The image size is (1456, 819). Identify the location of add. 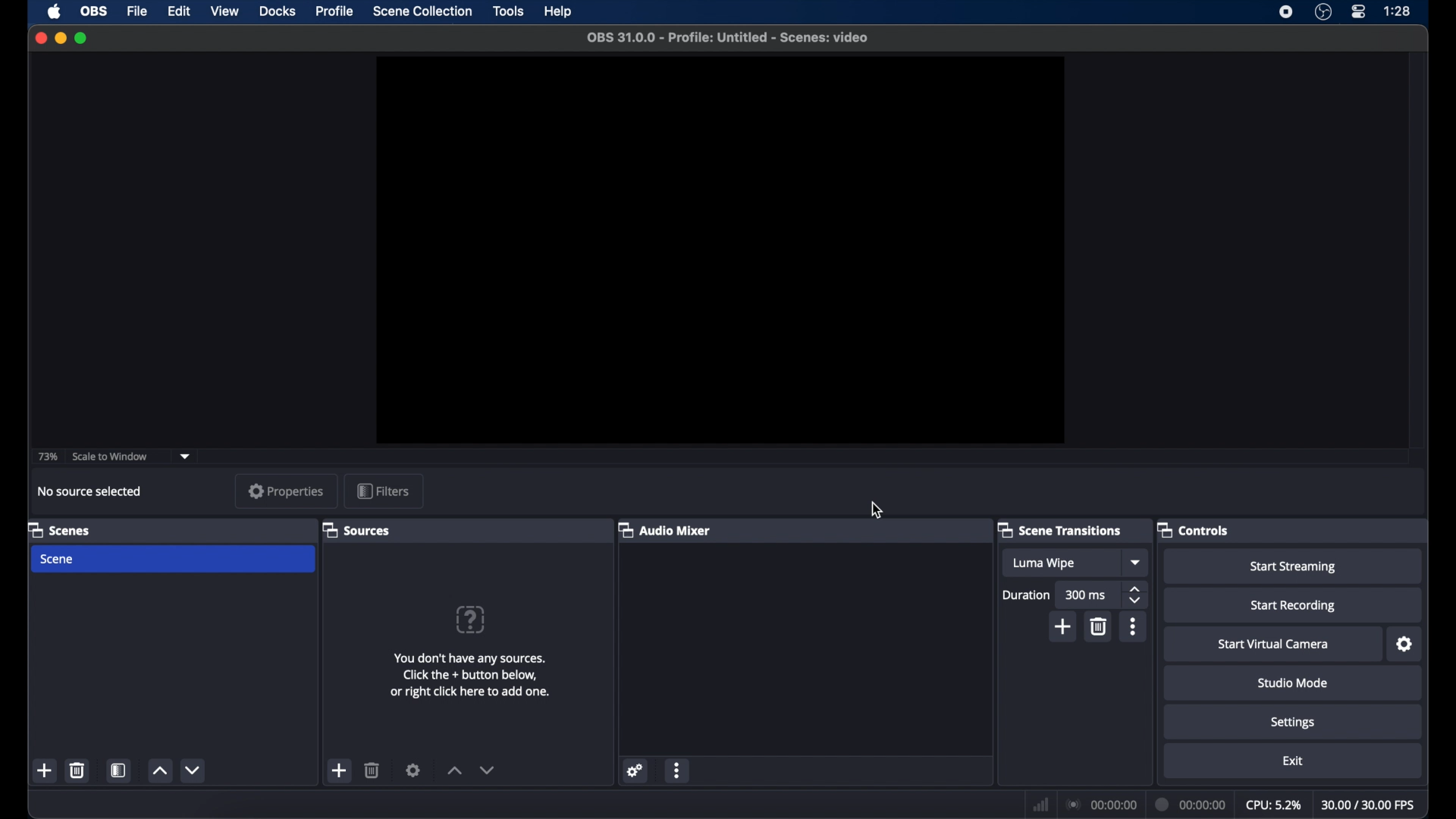
(1062, 626).